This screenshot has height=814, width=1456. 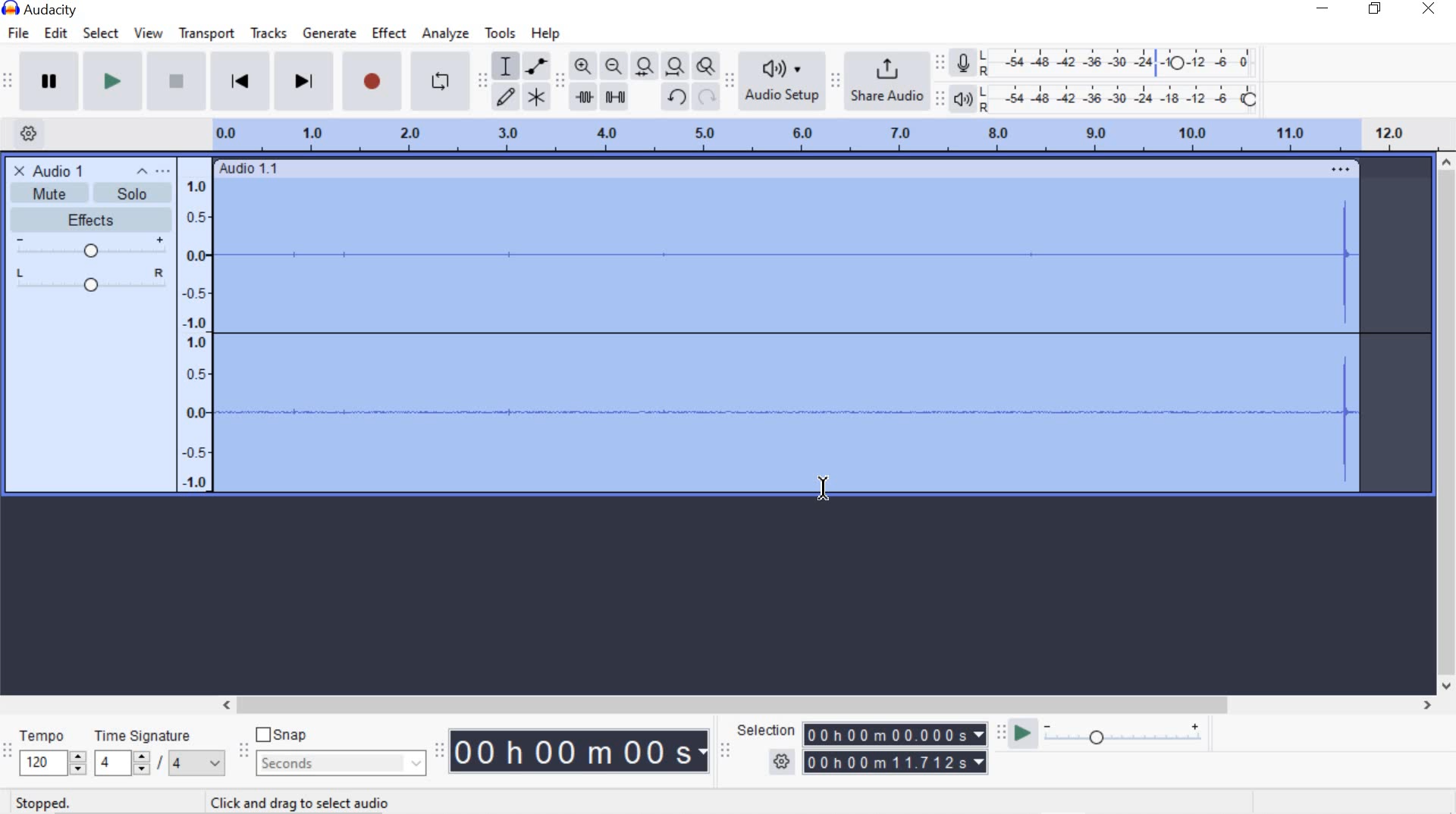 I want to click on Audio setup, so click(x=782, y=81).